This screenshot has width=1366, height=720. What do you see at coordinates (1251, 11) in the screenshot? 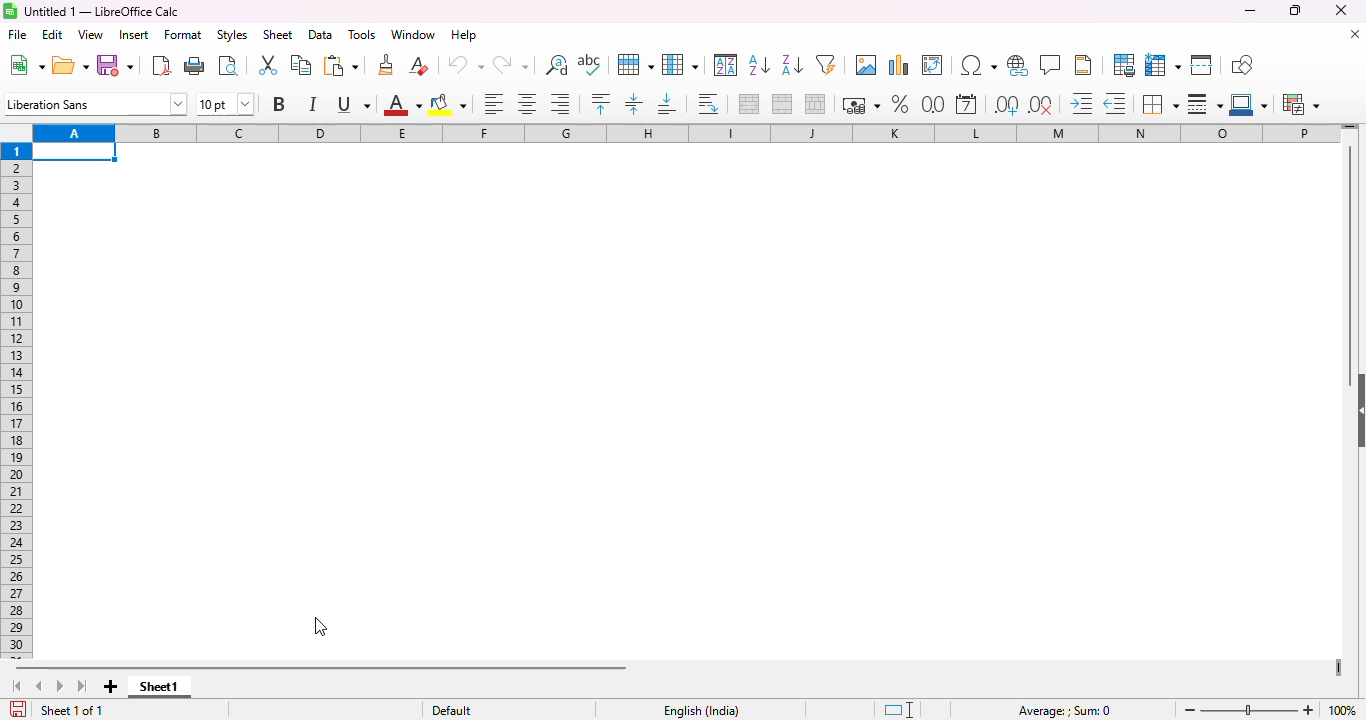
I see `minimize` at bounding box center [1251, 11].